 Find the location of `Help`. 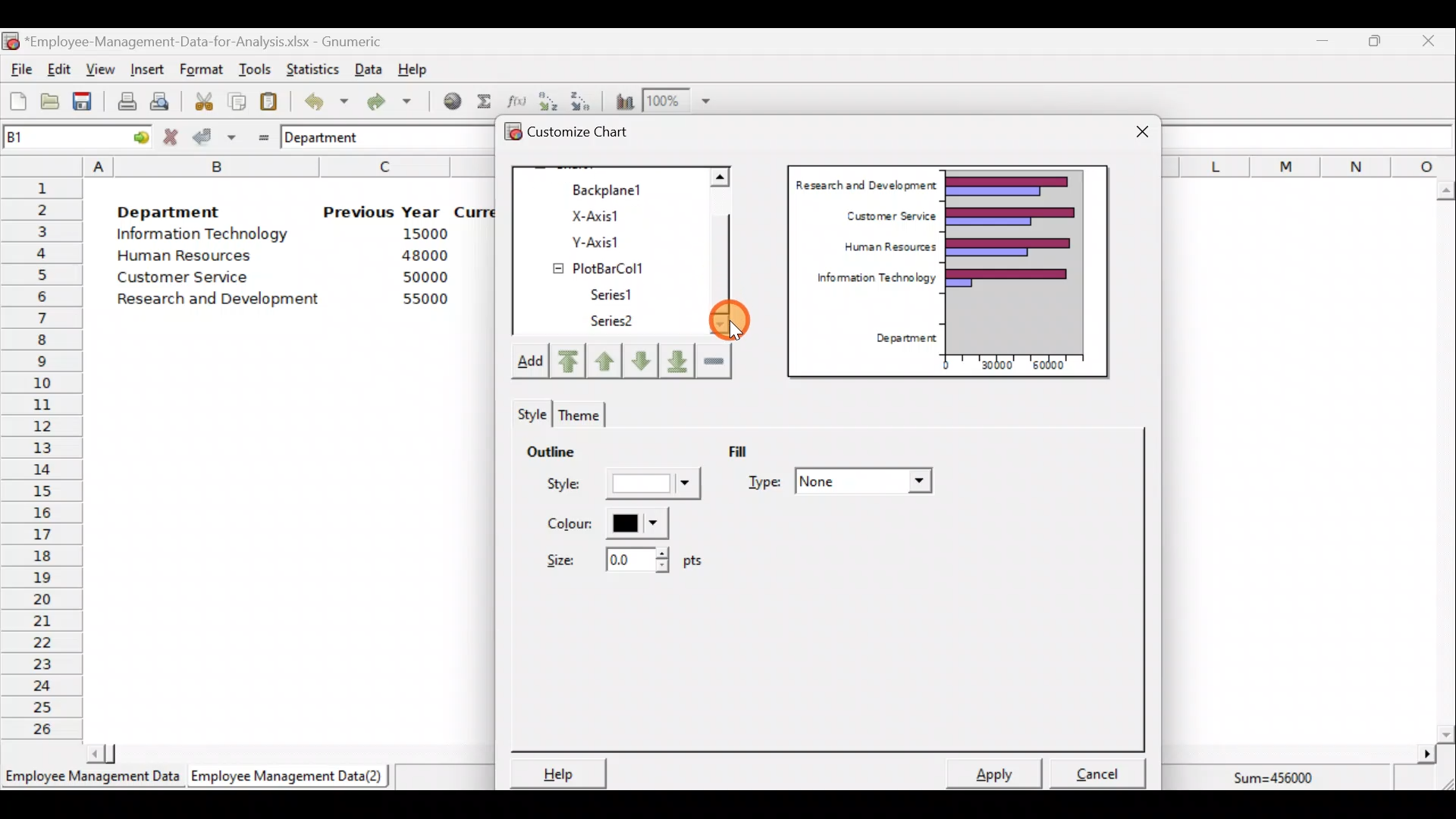

Help is located at coordinates (556, 773).